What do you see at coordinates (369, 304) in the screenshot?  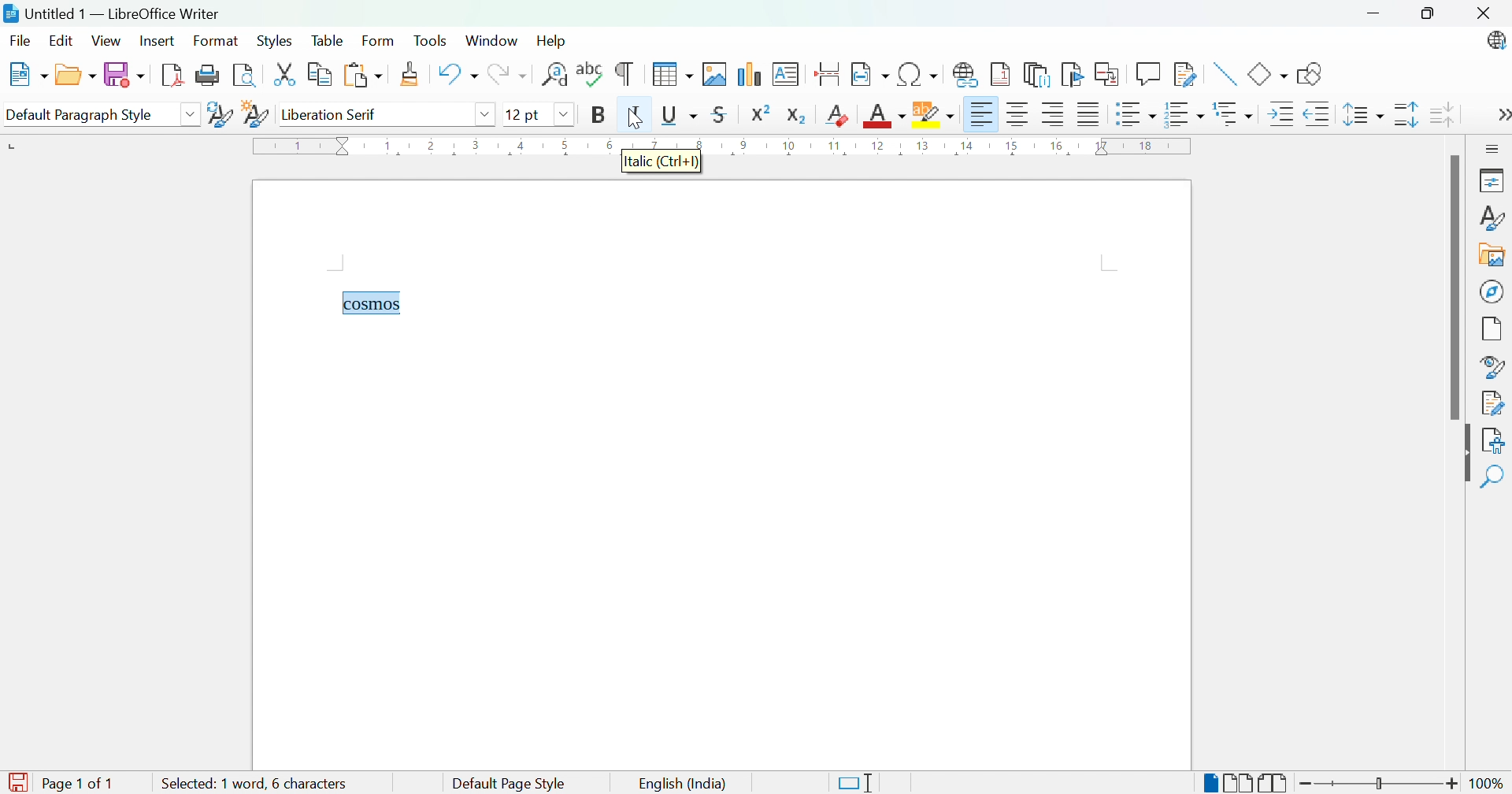 I see `cosmos` at bounding box center [369, 304].